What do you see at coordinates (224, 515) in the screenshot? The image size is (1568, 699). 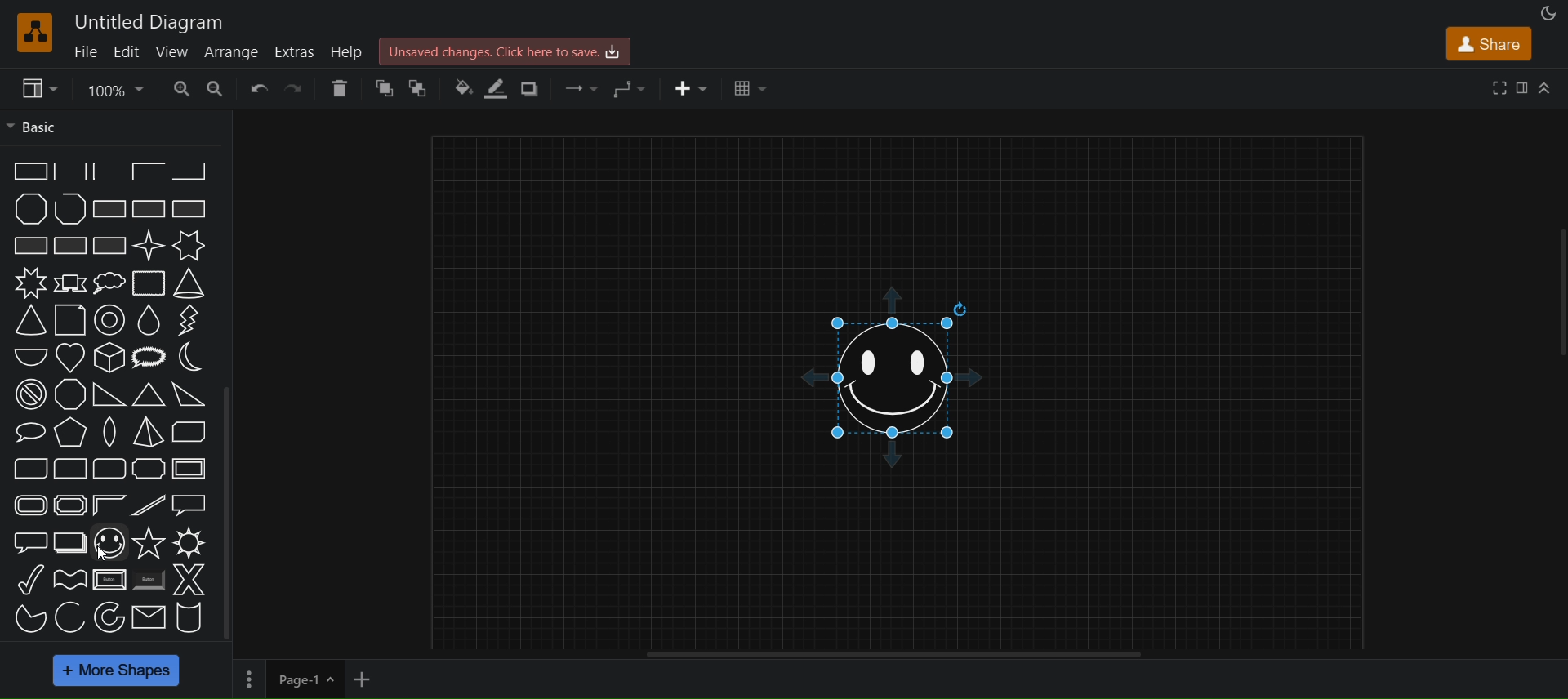 I see `vertical scrollbar` at bounding box center [224, 515].